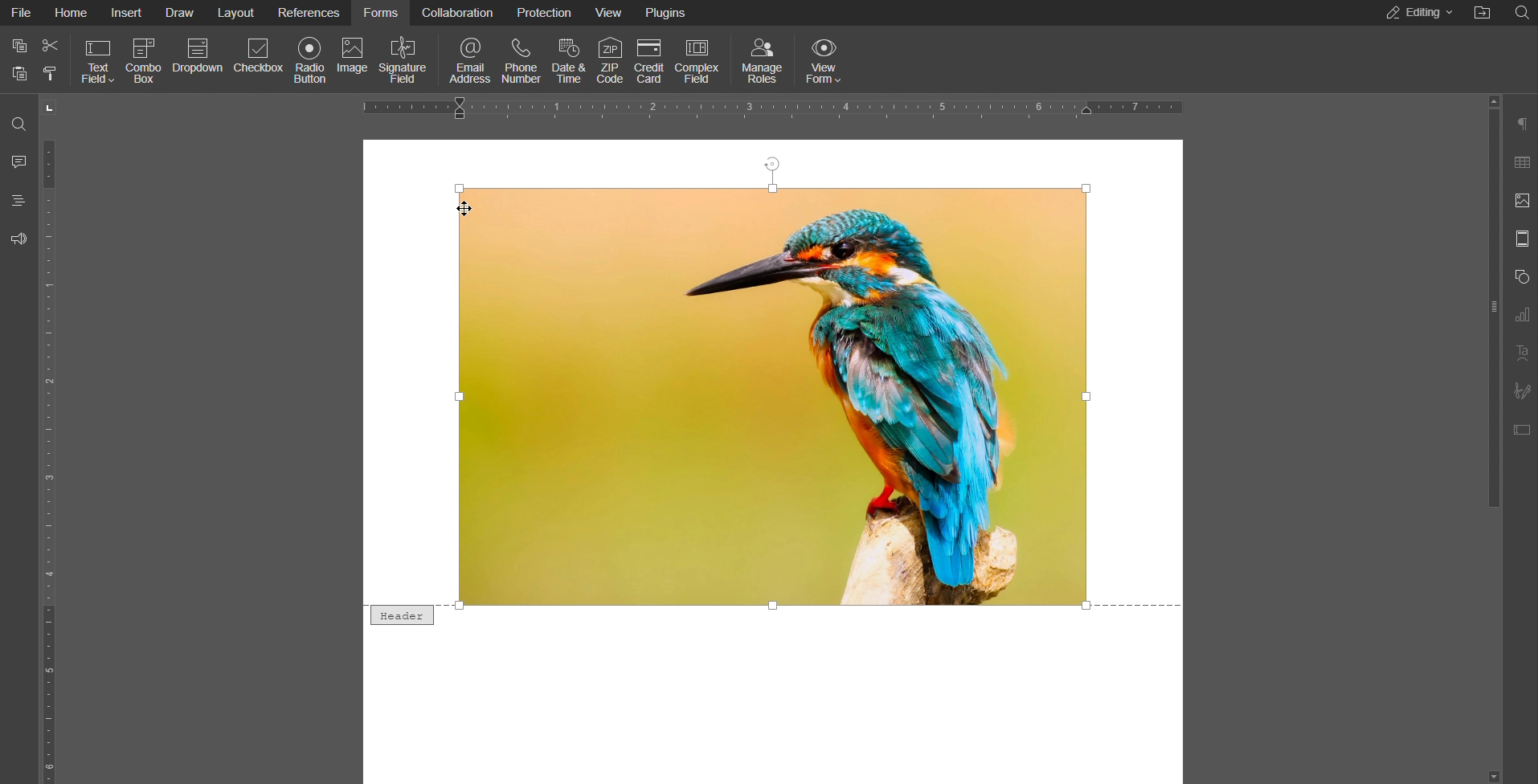 The height and width of the screenshot is (784, 1538). I want to click on Combo Box, so click(145, 59).